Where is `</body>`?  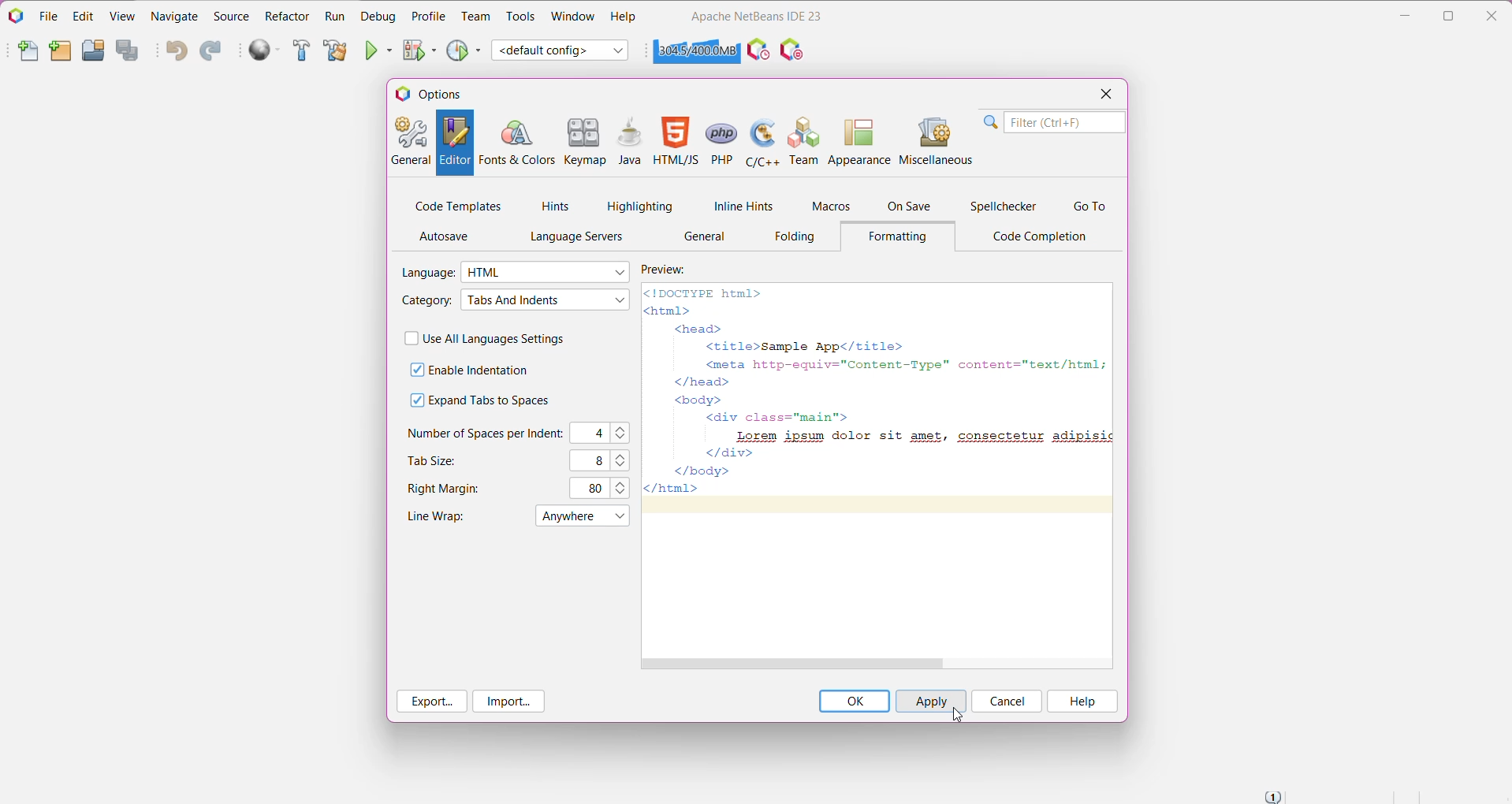
</body> is located at coordinates (706, 471).